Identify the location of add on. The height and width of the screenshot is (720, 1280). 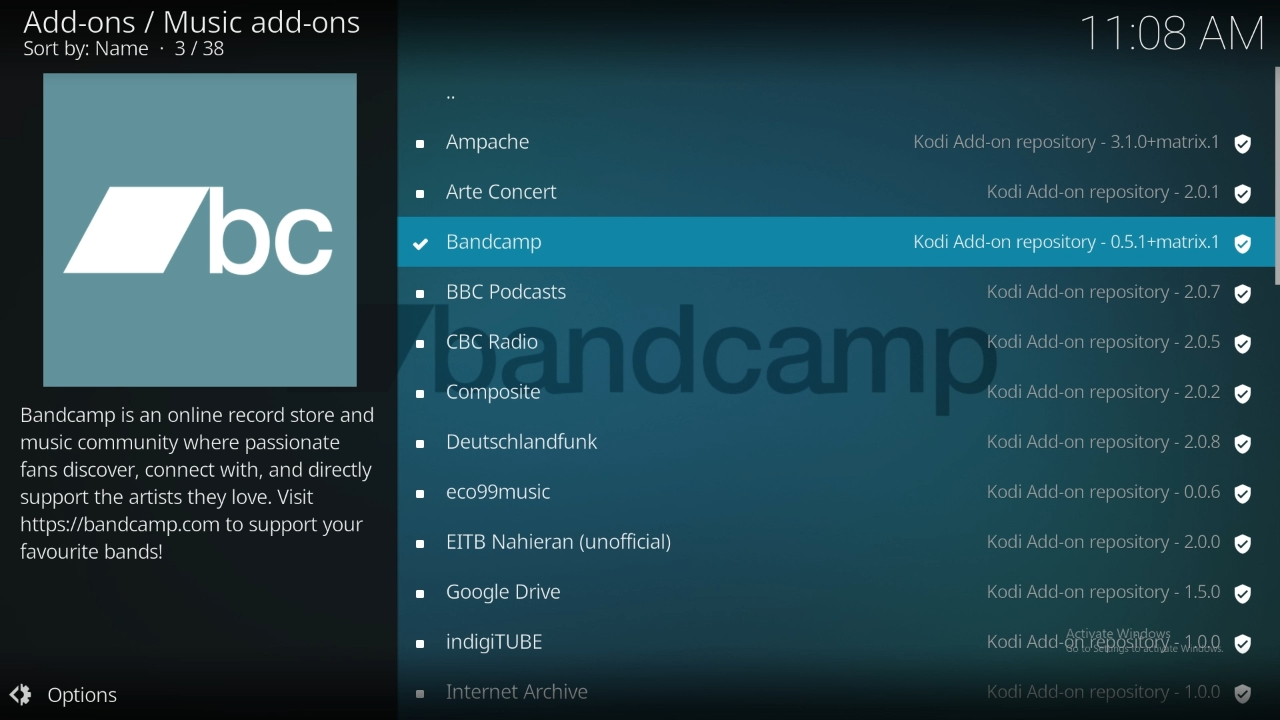
(833, 144).